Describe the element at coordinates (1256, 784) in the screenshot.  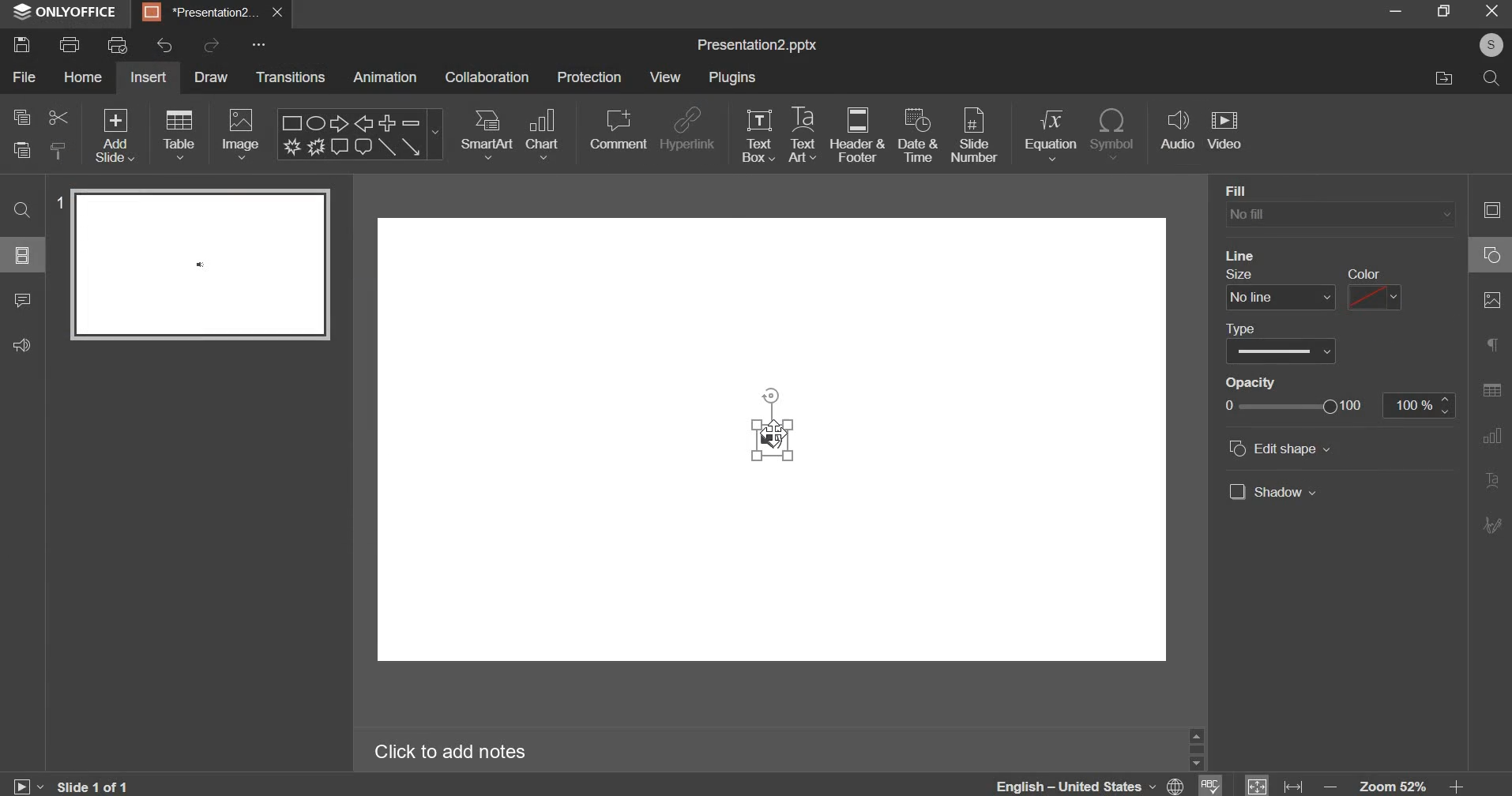
I see `fit to slide` at that location.